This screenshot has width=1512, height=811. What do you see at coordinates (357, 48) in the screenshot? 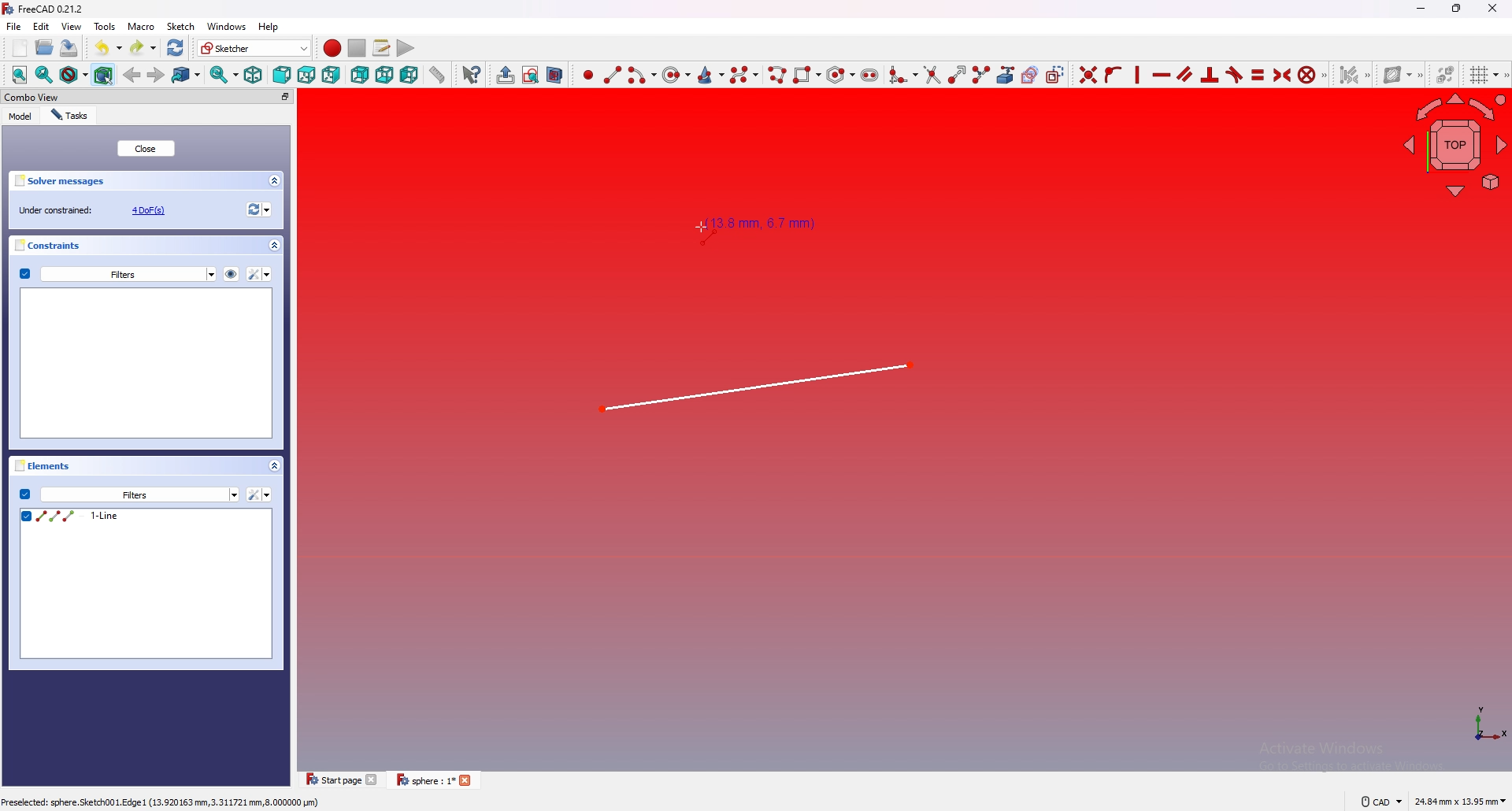
I see `Stop macro recording` at bounding box center [357, 48].